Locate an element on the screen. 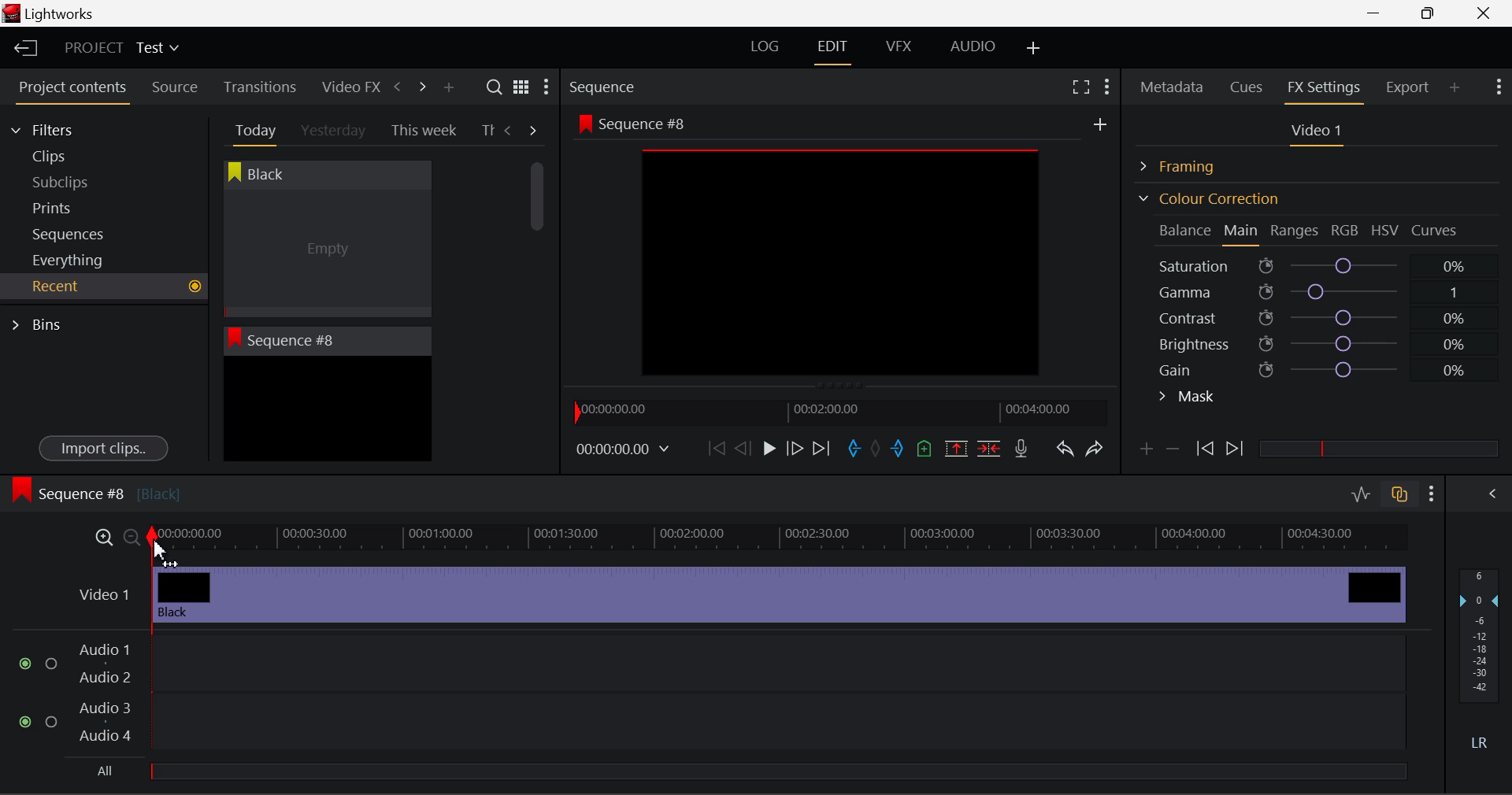 This screenshot has height=795, width=1512. Cursor MOUSE_DOWN on Black Clip is located at coordinates (325, 253).